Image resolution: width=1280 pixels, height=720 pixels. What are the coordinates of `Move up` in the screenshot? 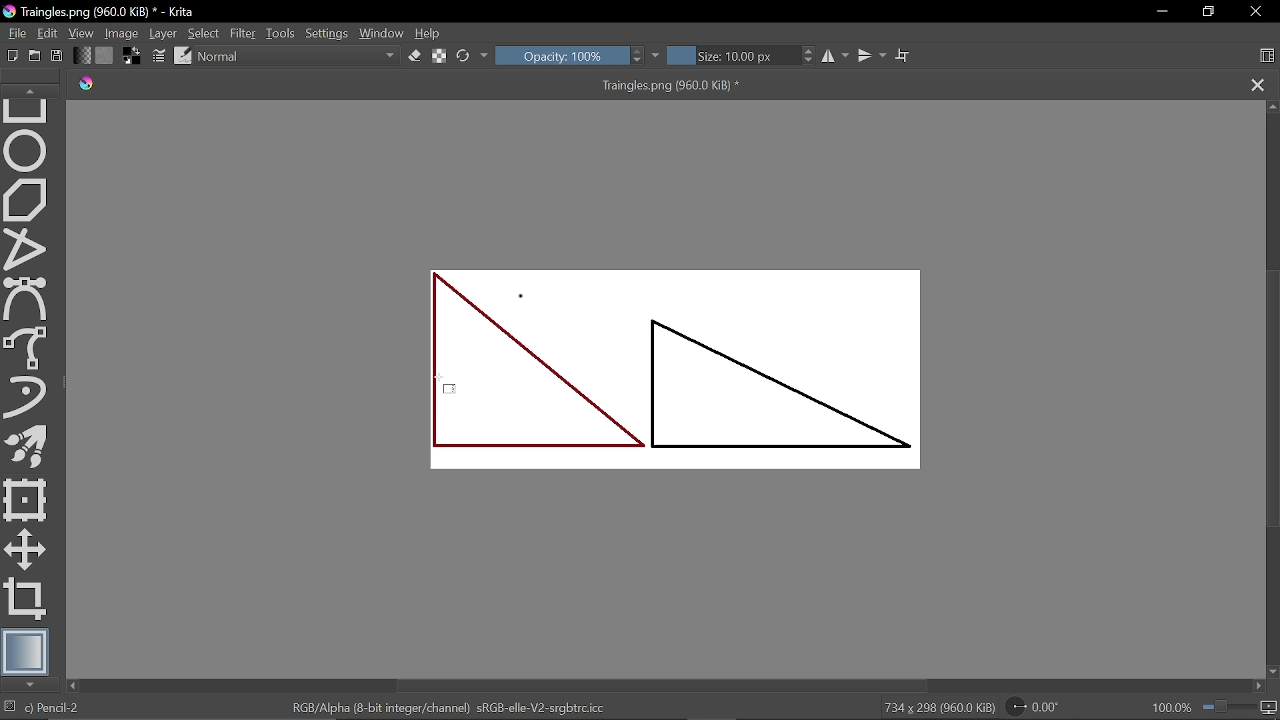 It's located at (1272, 107).